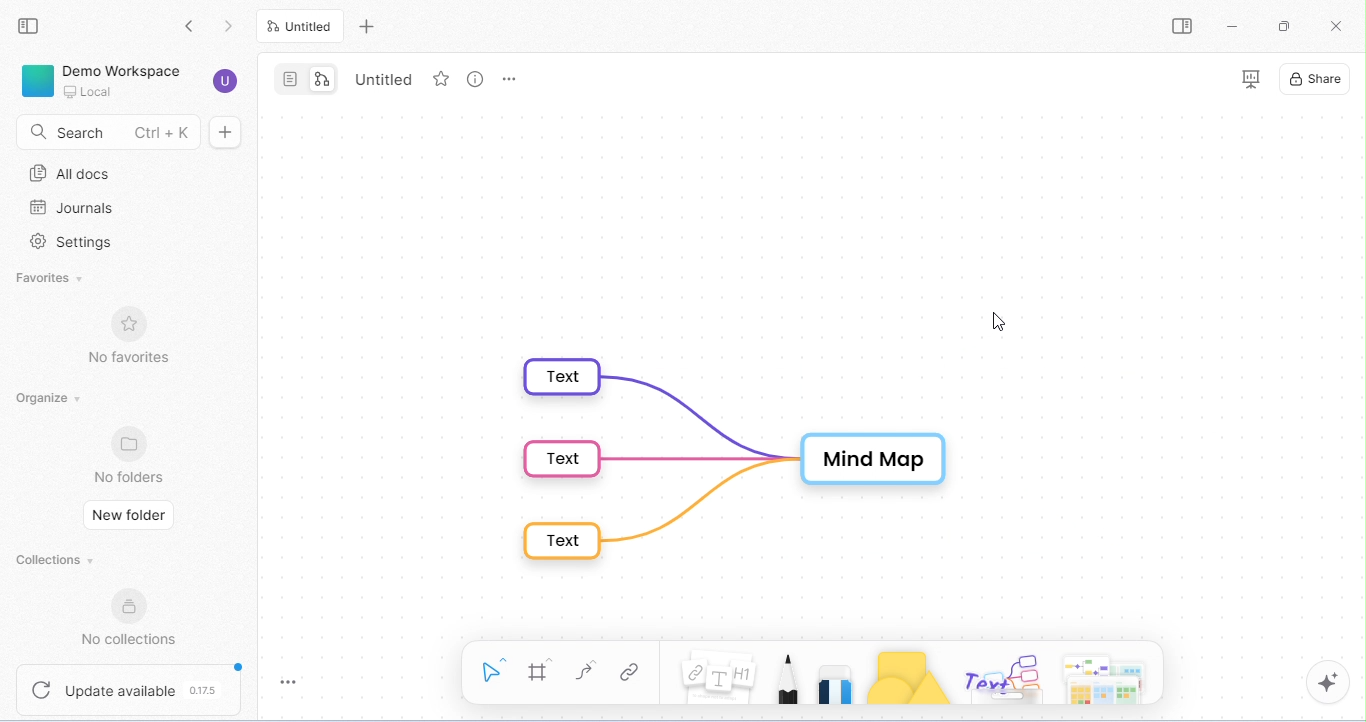 The image size is (1366, 722). Describe the element at coordinates (128, 81) in the screenshot. I see `demo workspace` at that location.